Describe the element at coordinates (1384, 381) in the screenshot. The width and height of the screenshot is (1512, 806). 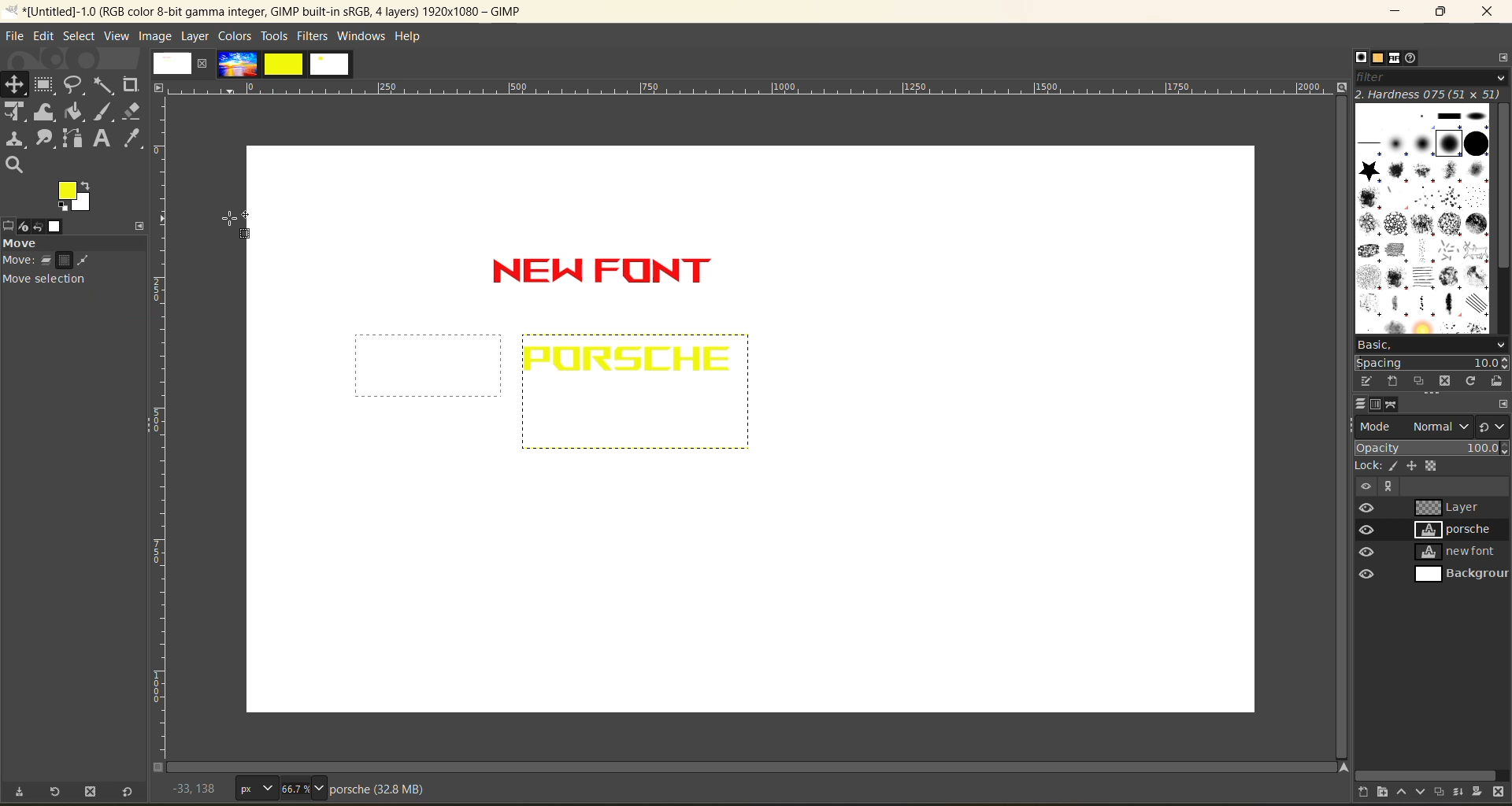
I see `create a brush` at that location.